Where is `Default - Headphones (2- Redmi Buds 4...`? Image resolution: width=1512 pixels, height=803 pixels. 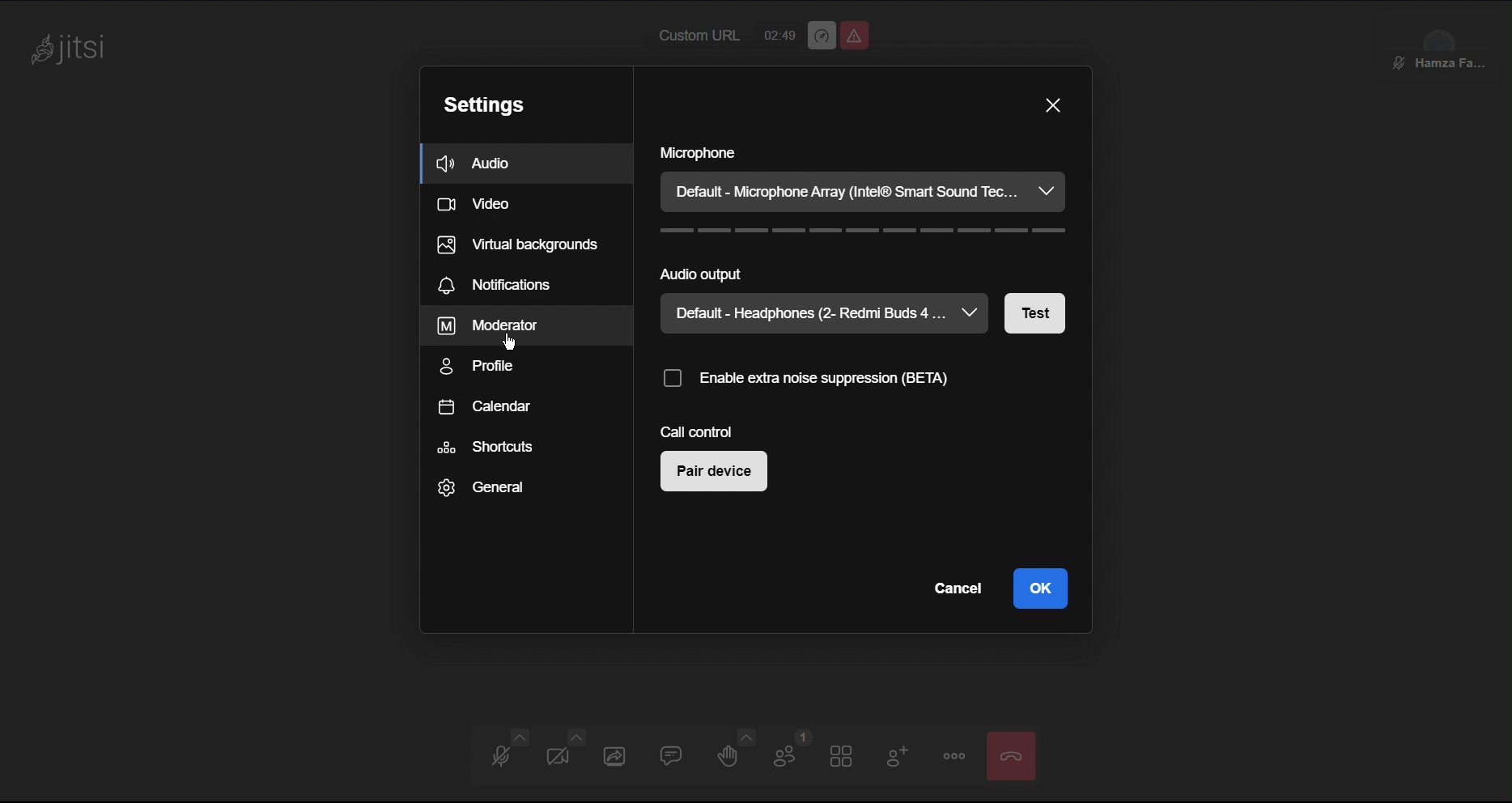 Default - Headphones (2- Redmi Buds 4... is located at coordinates (823, 312).